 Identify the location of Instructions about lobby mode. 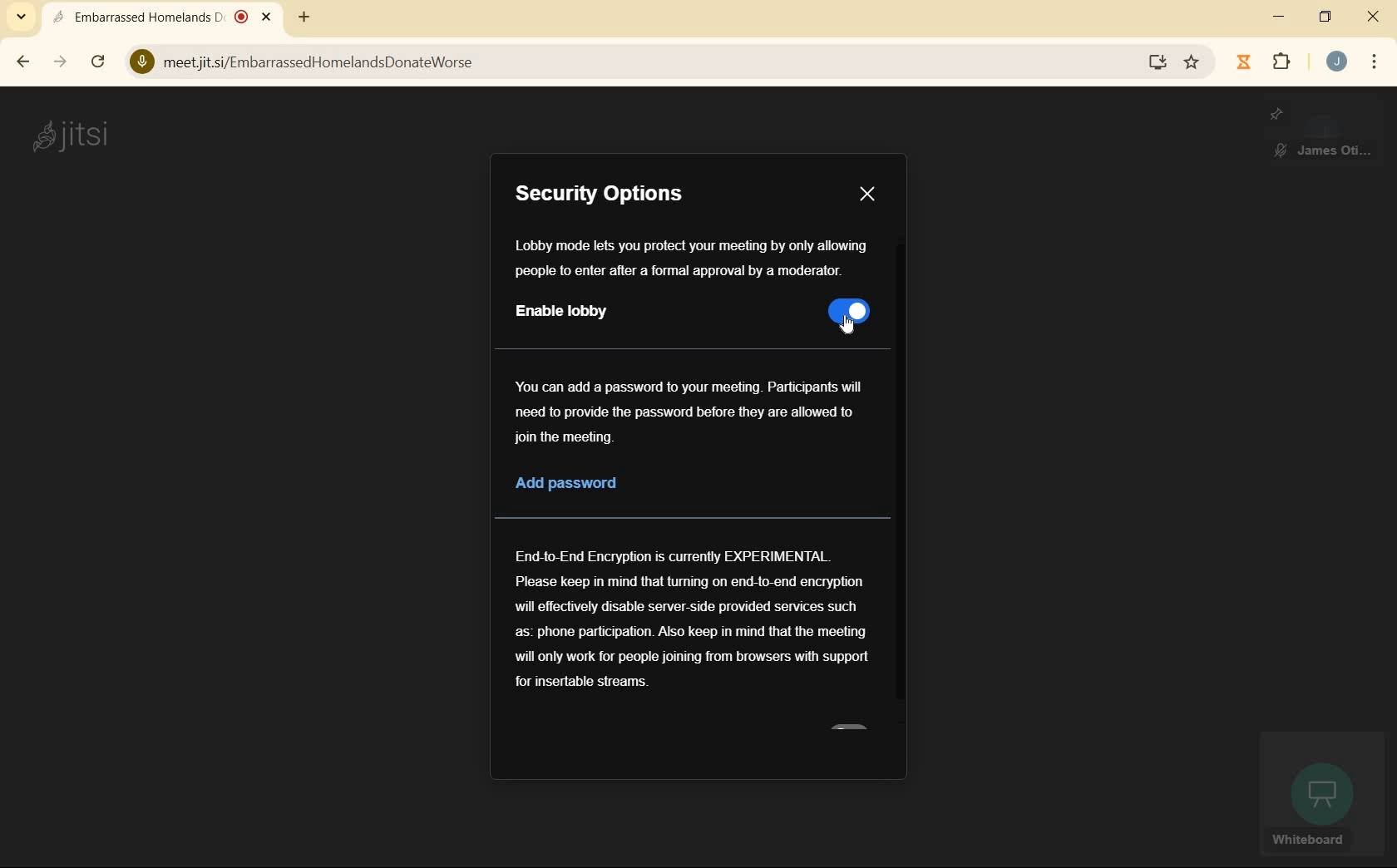
(689, 259).